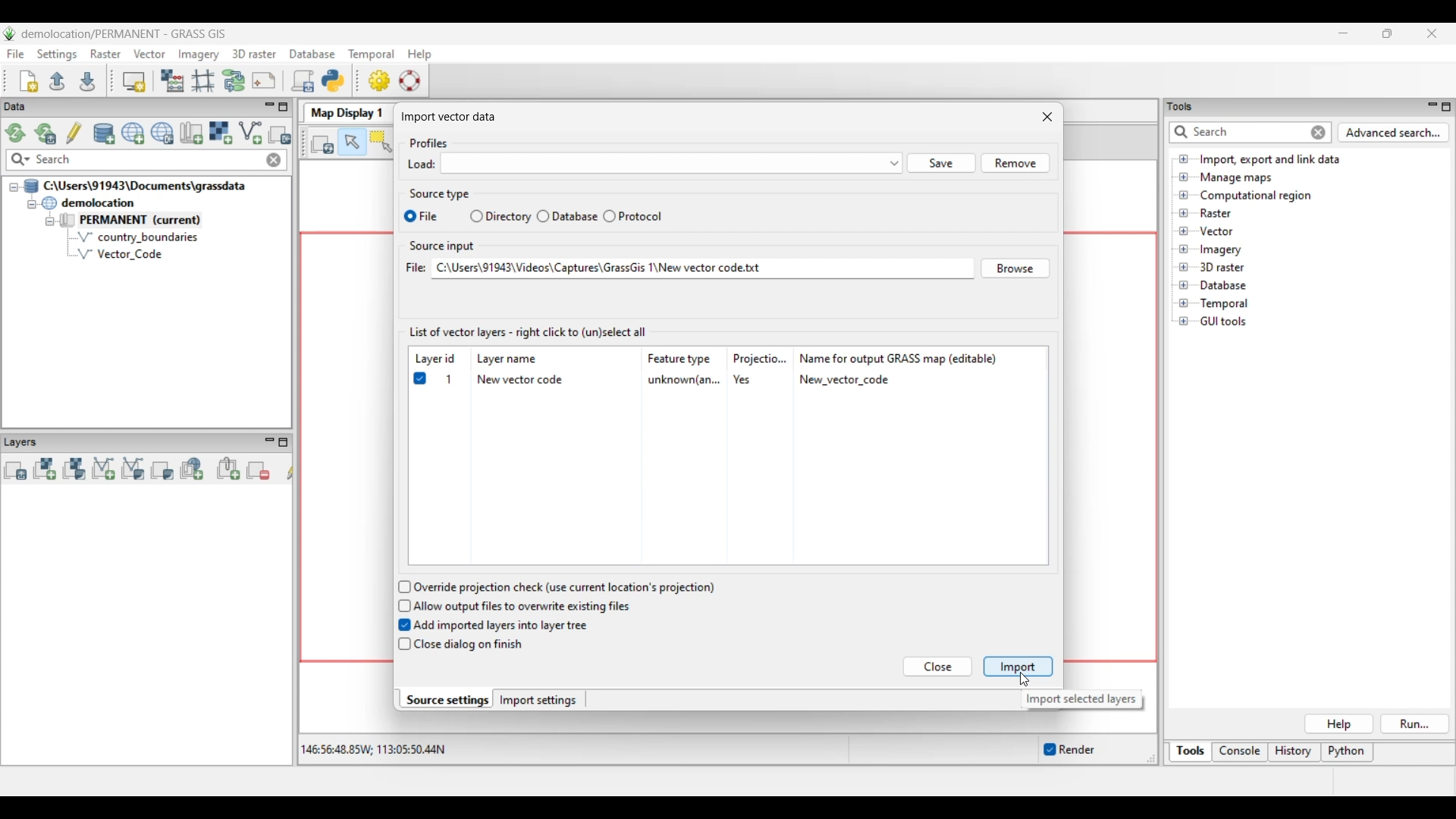  I want to click on Create new workspace, so click(30, 81).